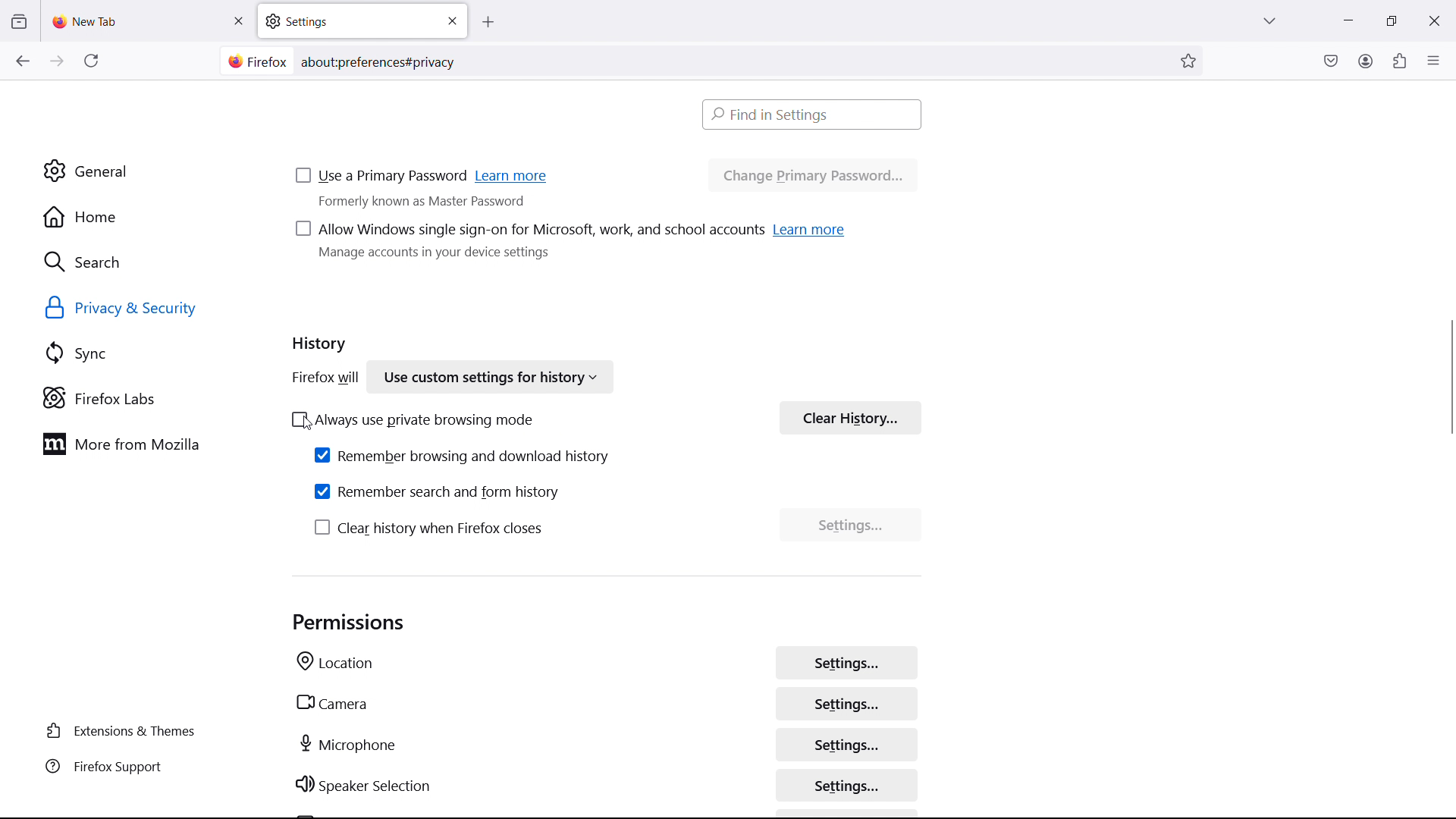  I want to click on close, so click(1433, 18).